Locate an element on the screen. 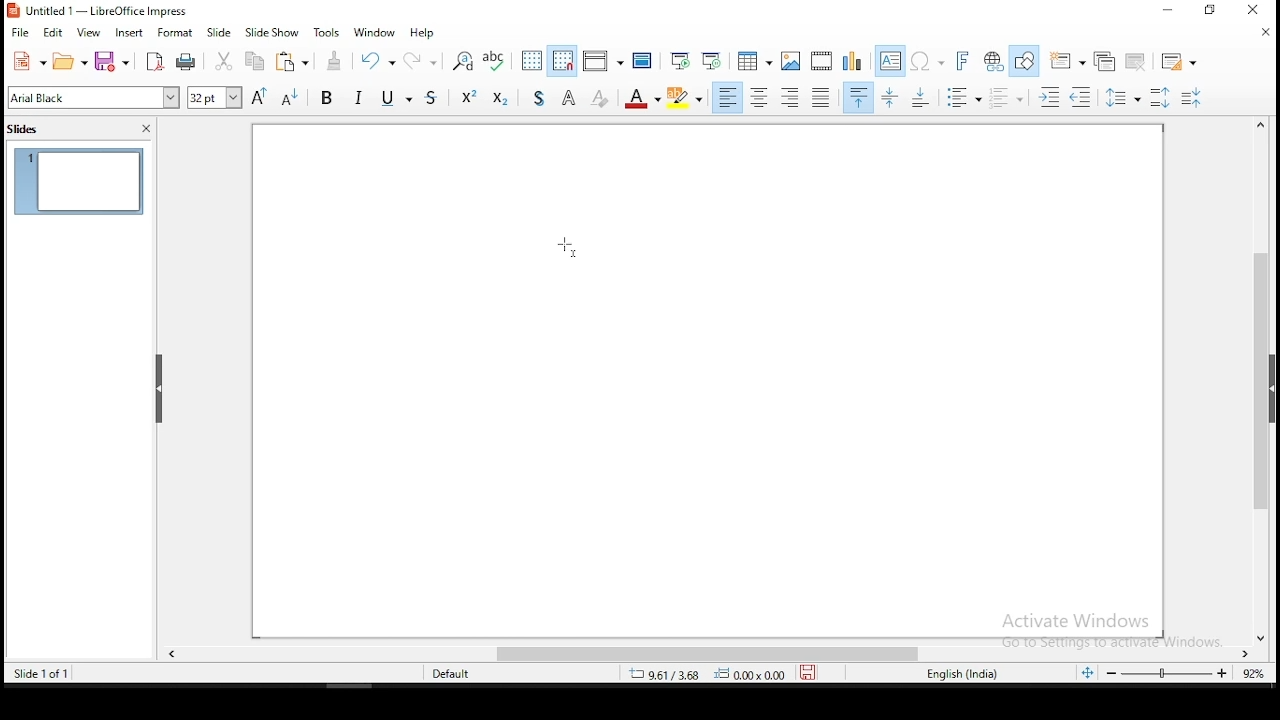 The image size is (1280, 720). file is located at coordinates (20, 32).